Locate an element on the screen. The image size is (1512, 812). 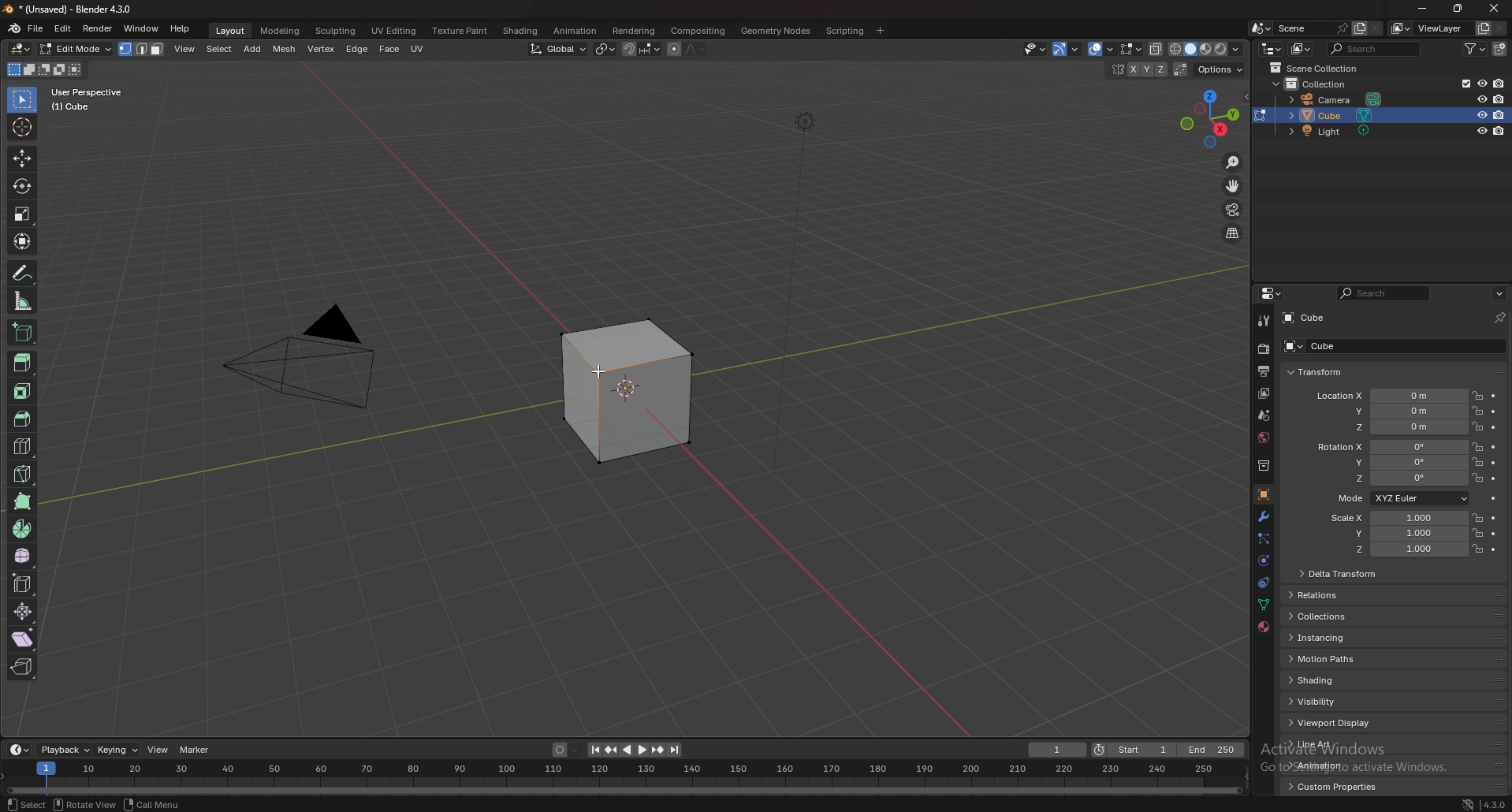
rotation z is located at coordinates (1389, 478).